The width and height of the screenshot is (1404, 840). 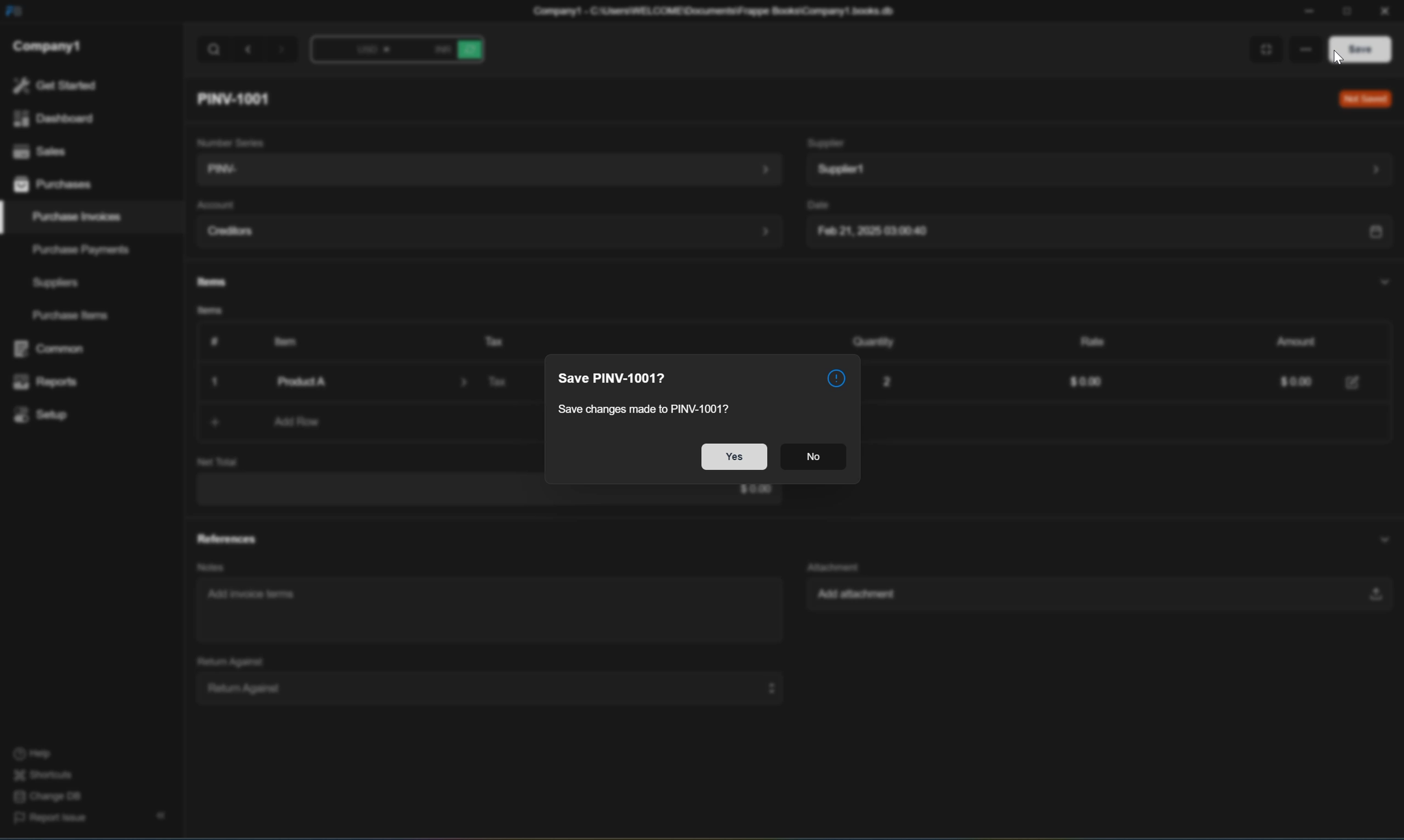 I want to click on Notes, so click(x=207, y=567).